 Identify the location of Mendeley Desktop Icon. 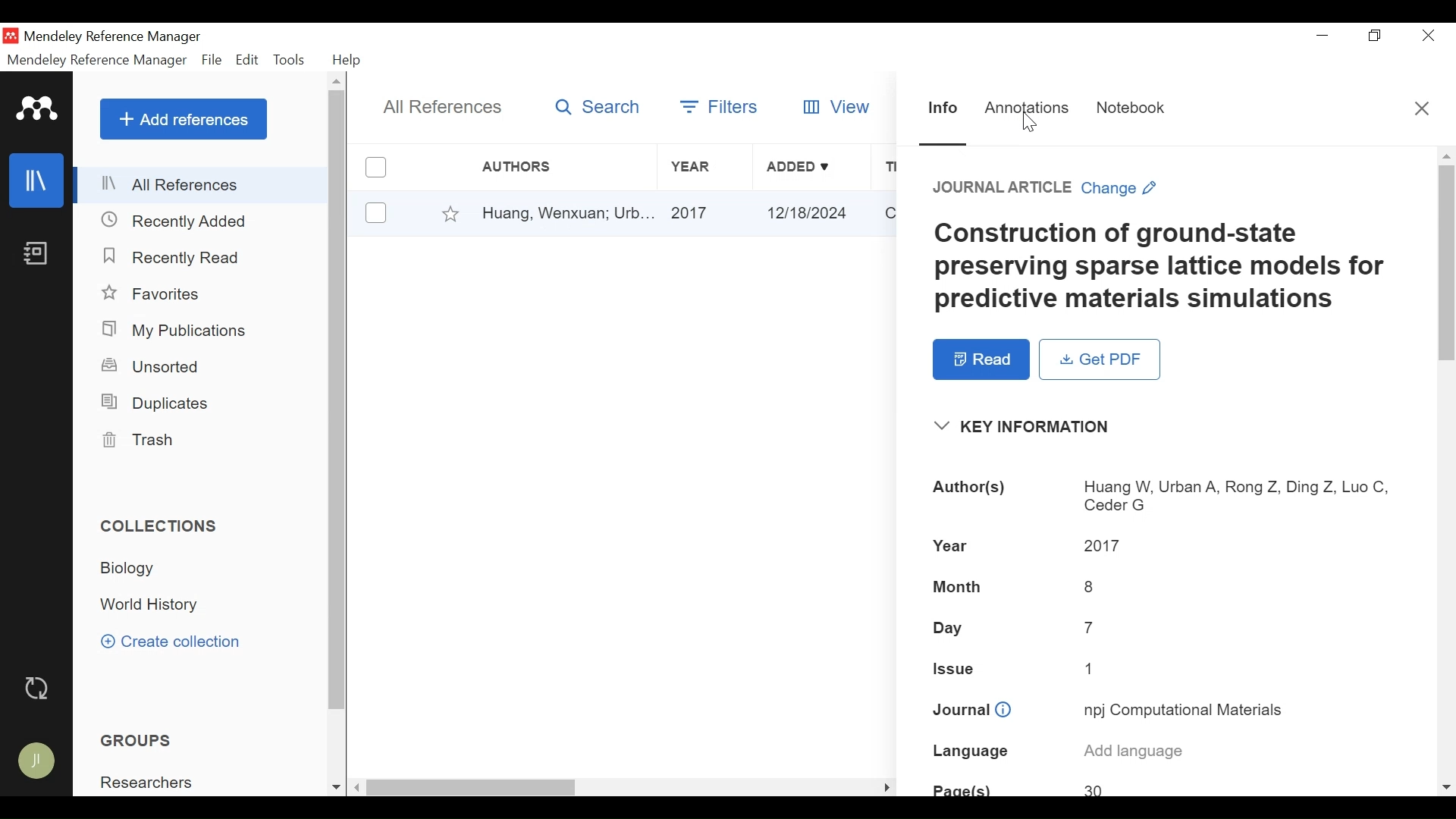
(11, 36).